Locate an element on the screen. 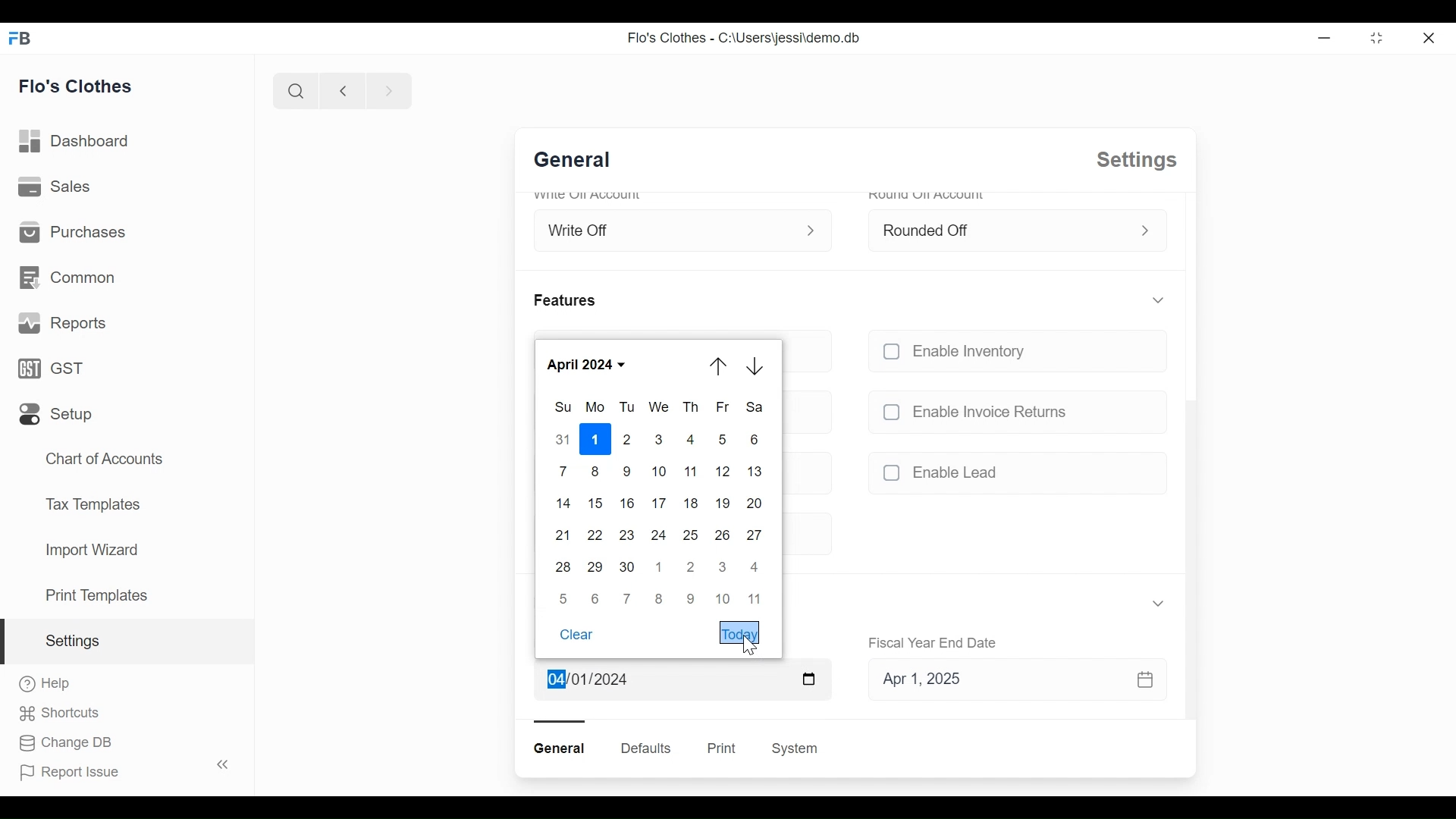  Mo is located at coordinates (595, 406).